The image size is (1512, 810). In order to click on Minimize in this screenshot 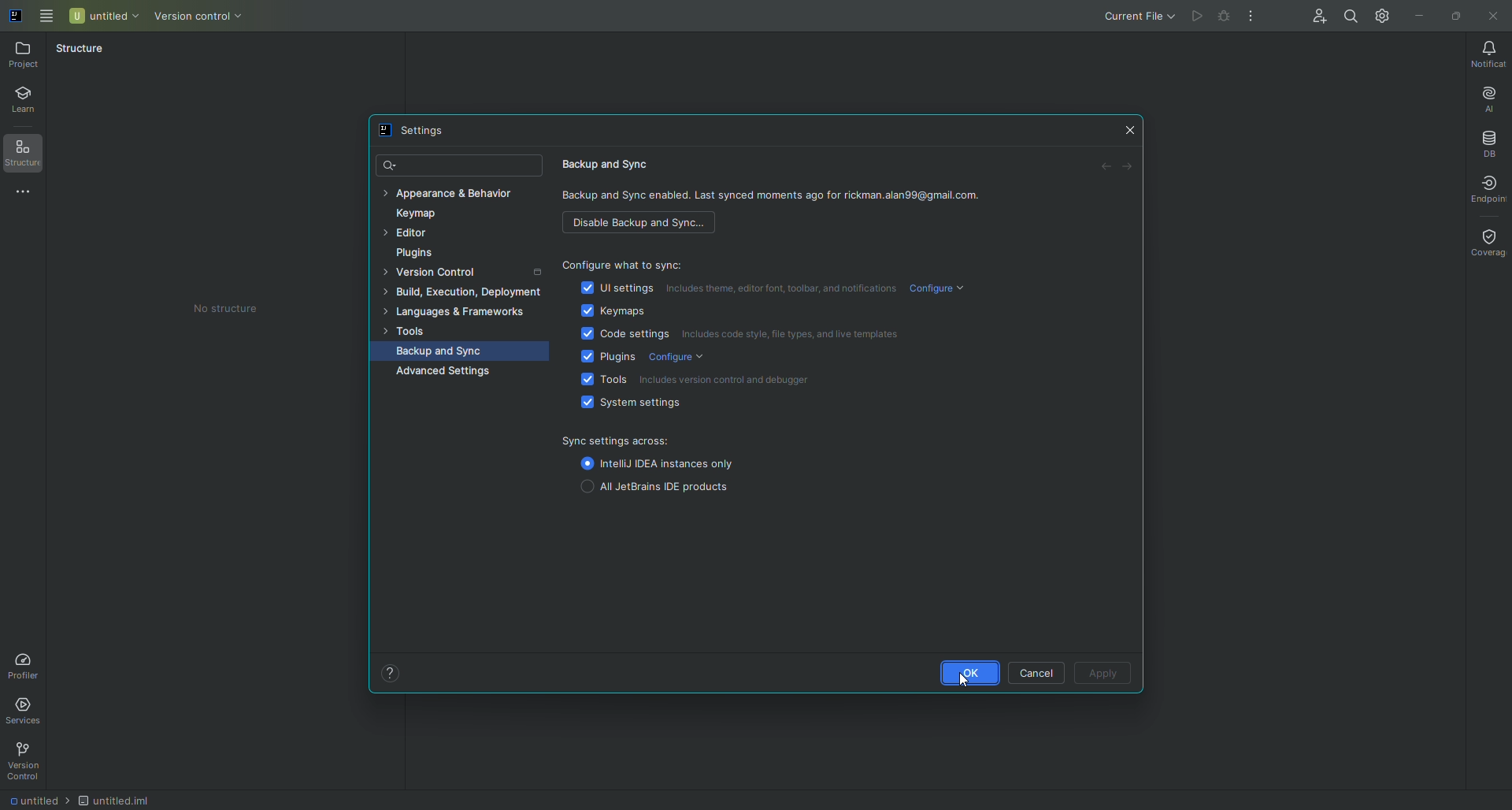, I will do `click(1418, 14)`.